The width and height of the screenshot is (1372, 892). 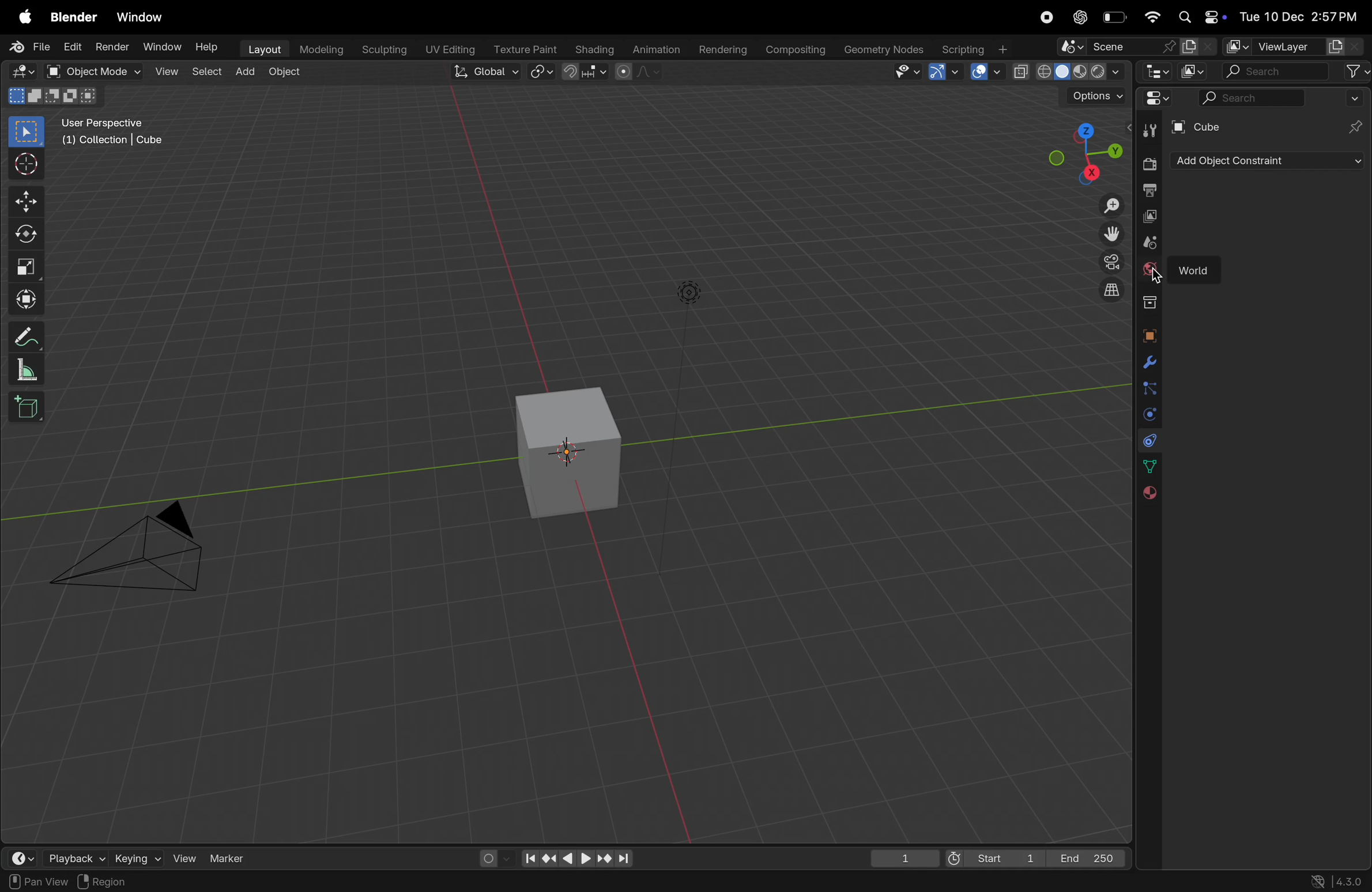 What do you see at coordinates (1154, 98) in the screenshot?
I see `editor type` at bounding box center [1154, 98].